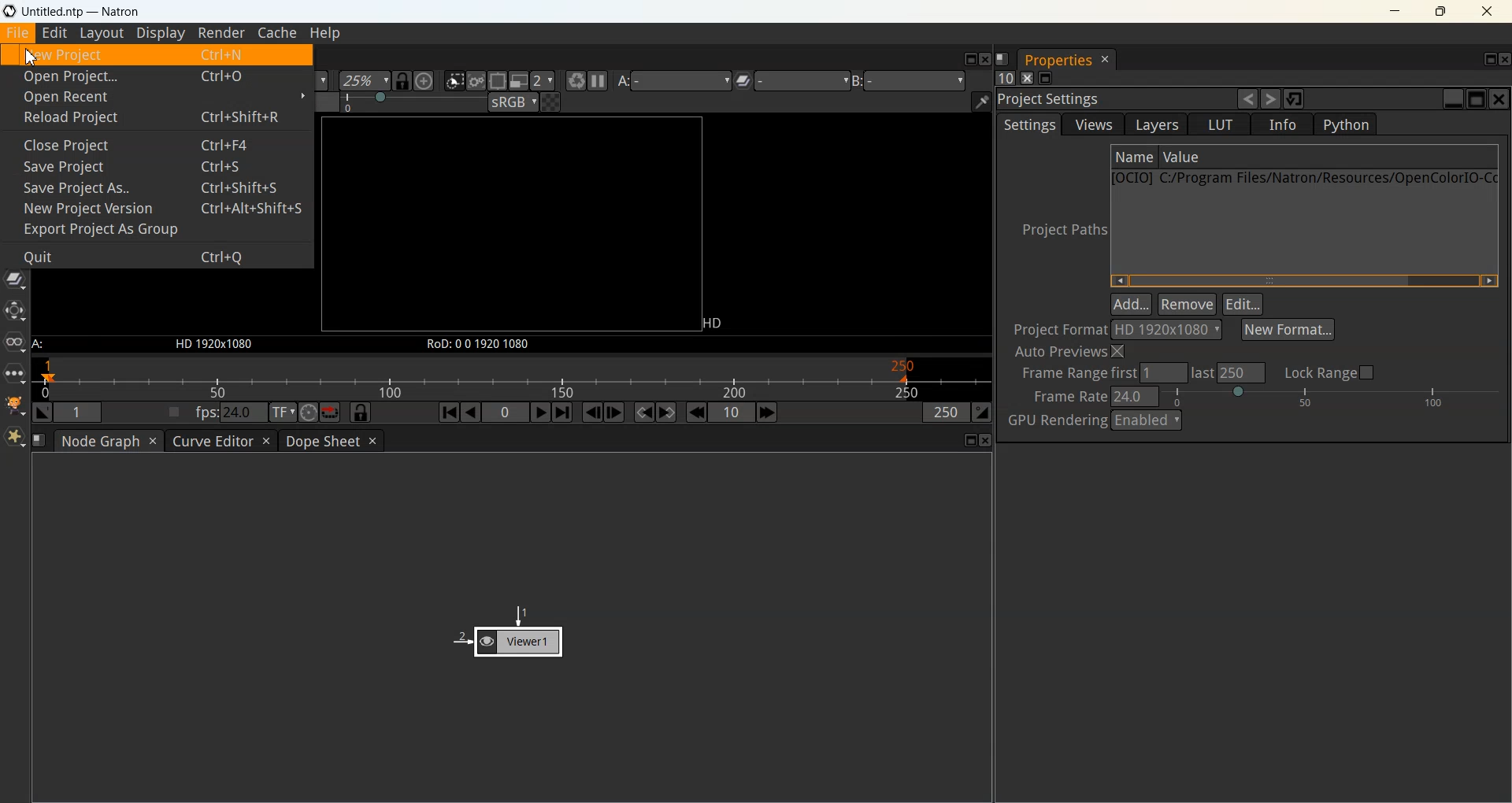  What do you see at coordinates (1072, 353) in the screenshot?
I see `Enable Auto Preview` at bounding box center [1072, 353].